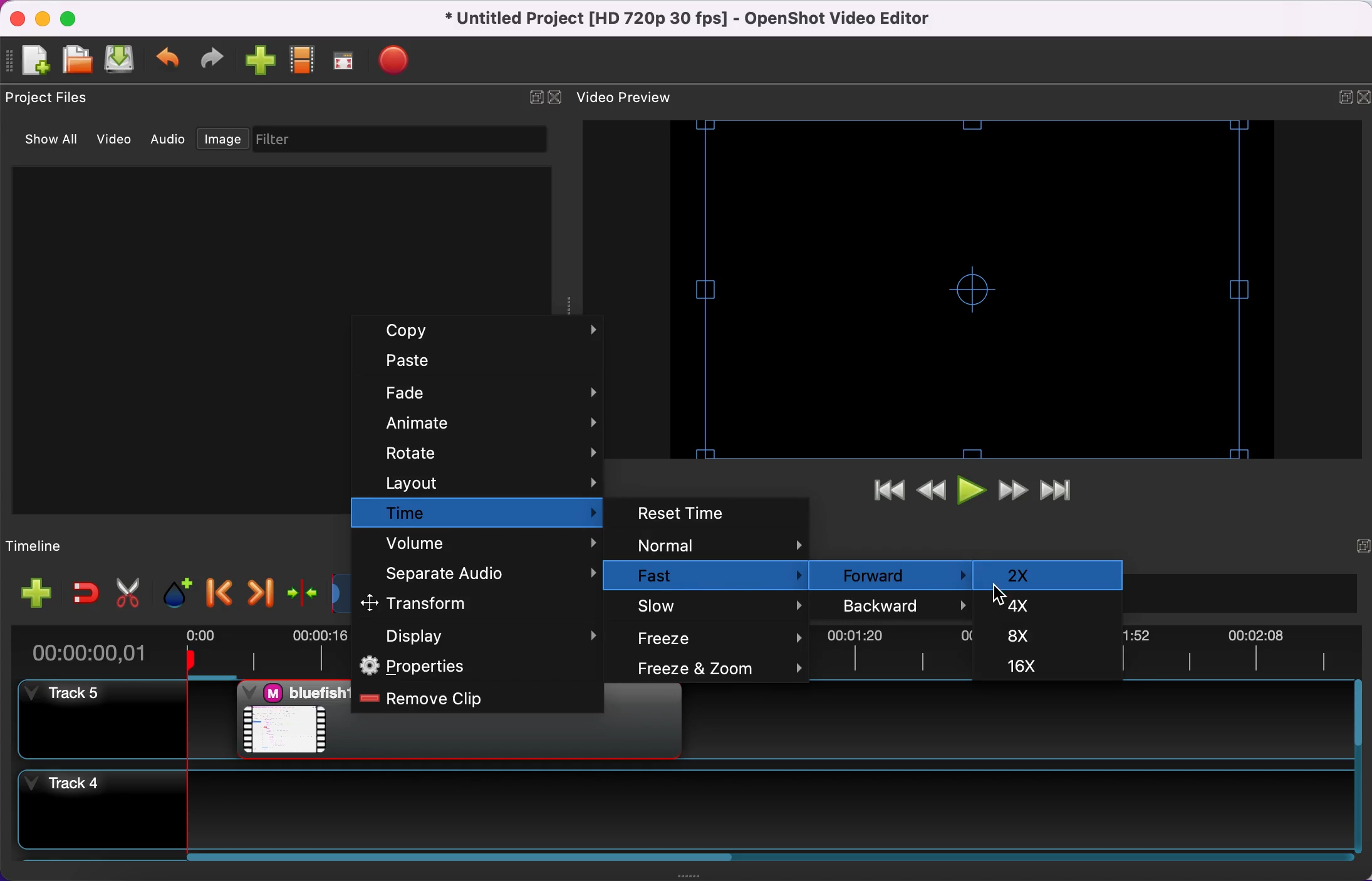 Image resolution: width=1372 pixels, height=881 pixels. I want to click on export video, so click(400, 61).